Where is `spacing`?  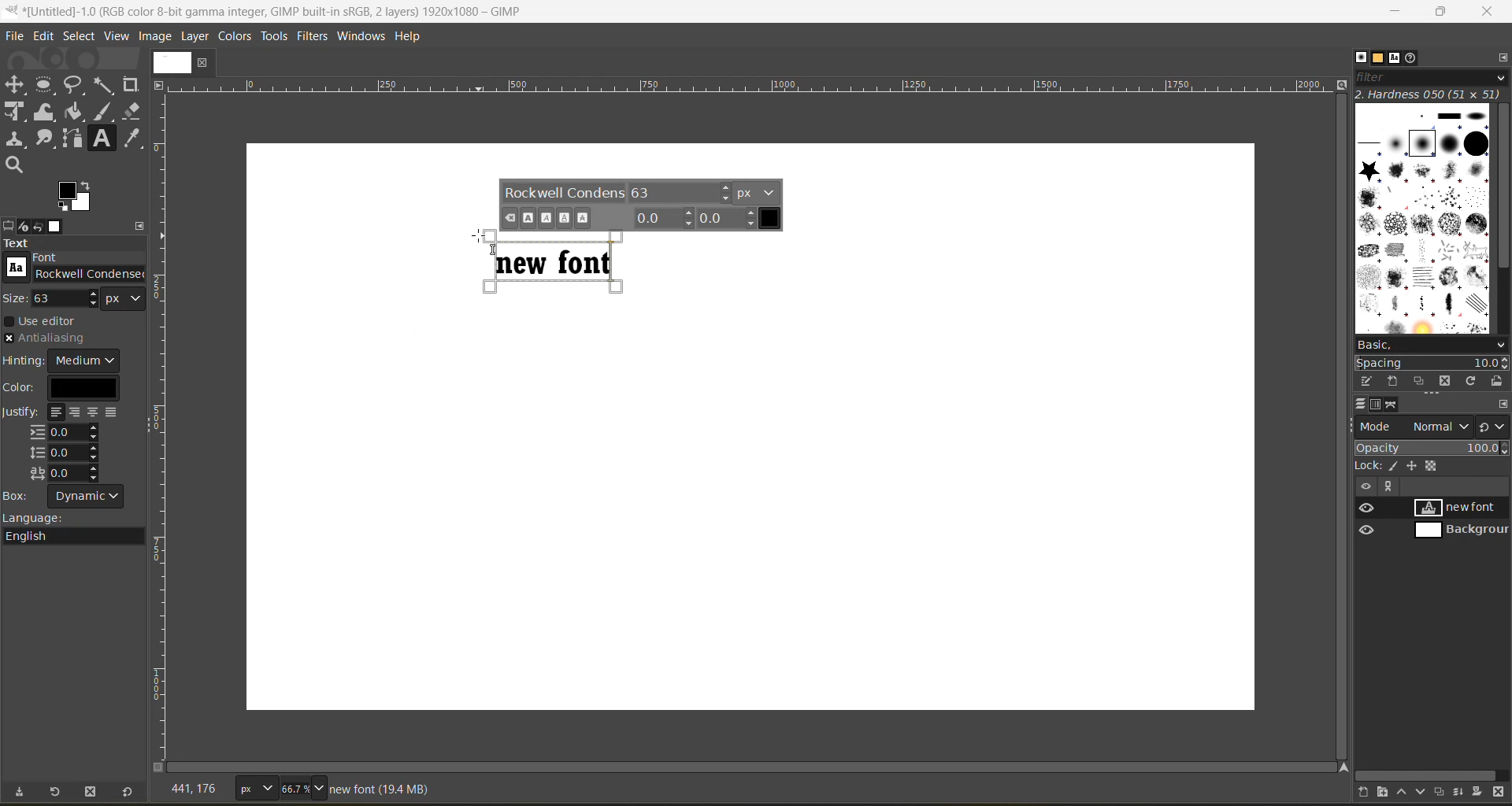 spacing is located at coordinates (1430, 363).